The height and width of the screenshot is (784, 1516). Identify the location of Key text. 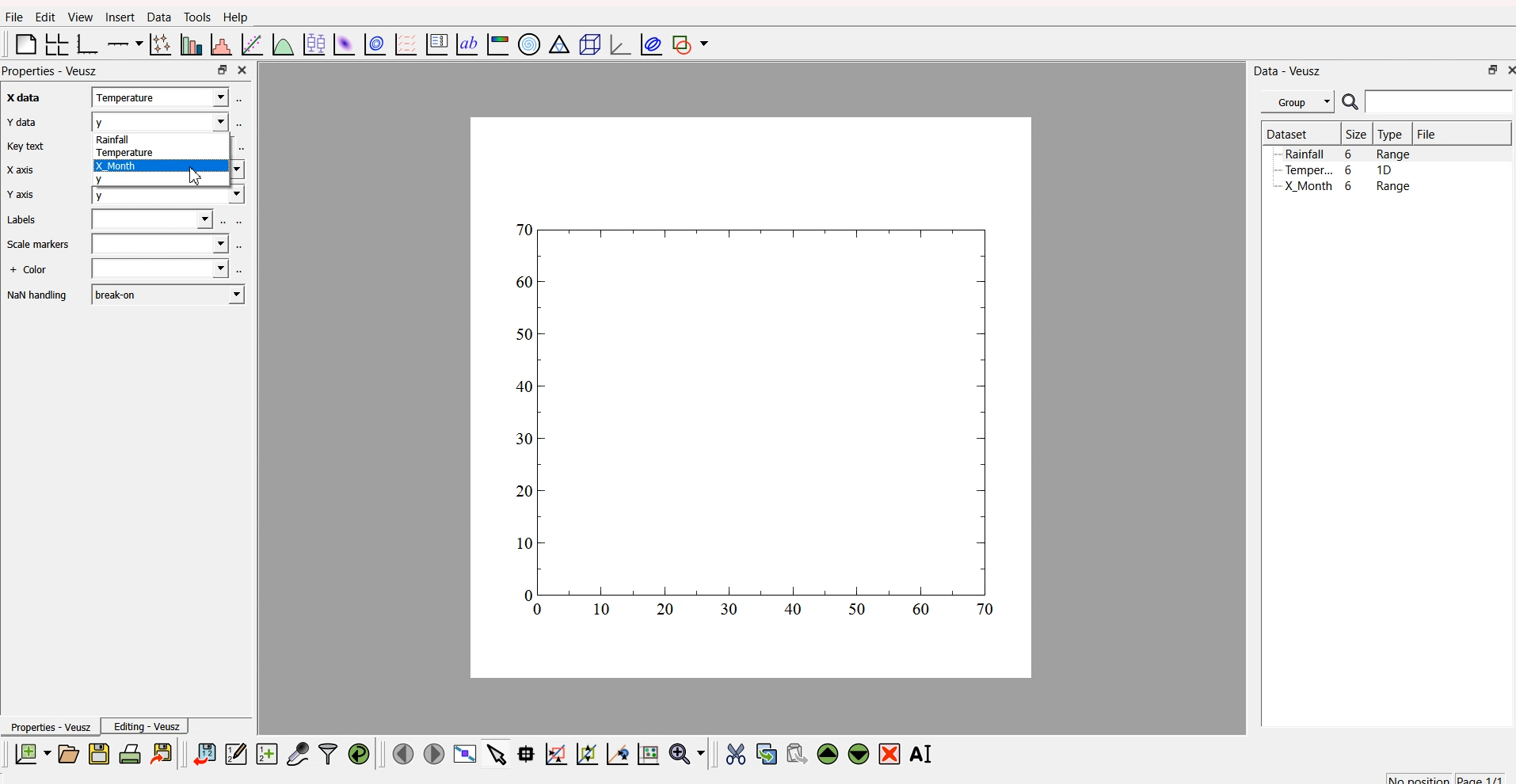
(27, 147).